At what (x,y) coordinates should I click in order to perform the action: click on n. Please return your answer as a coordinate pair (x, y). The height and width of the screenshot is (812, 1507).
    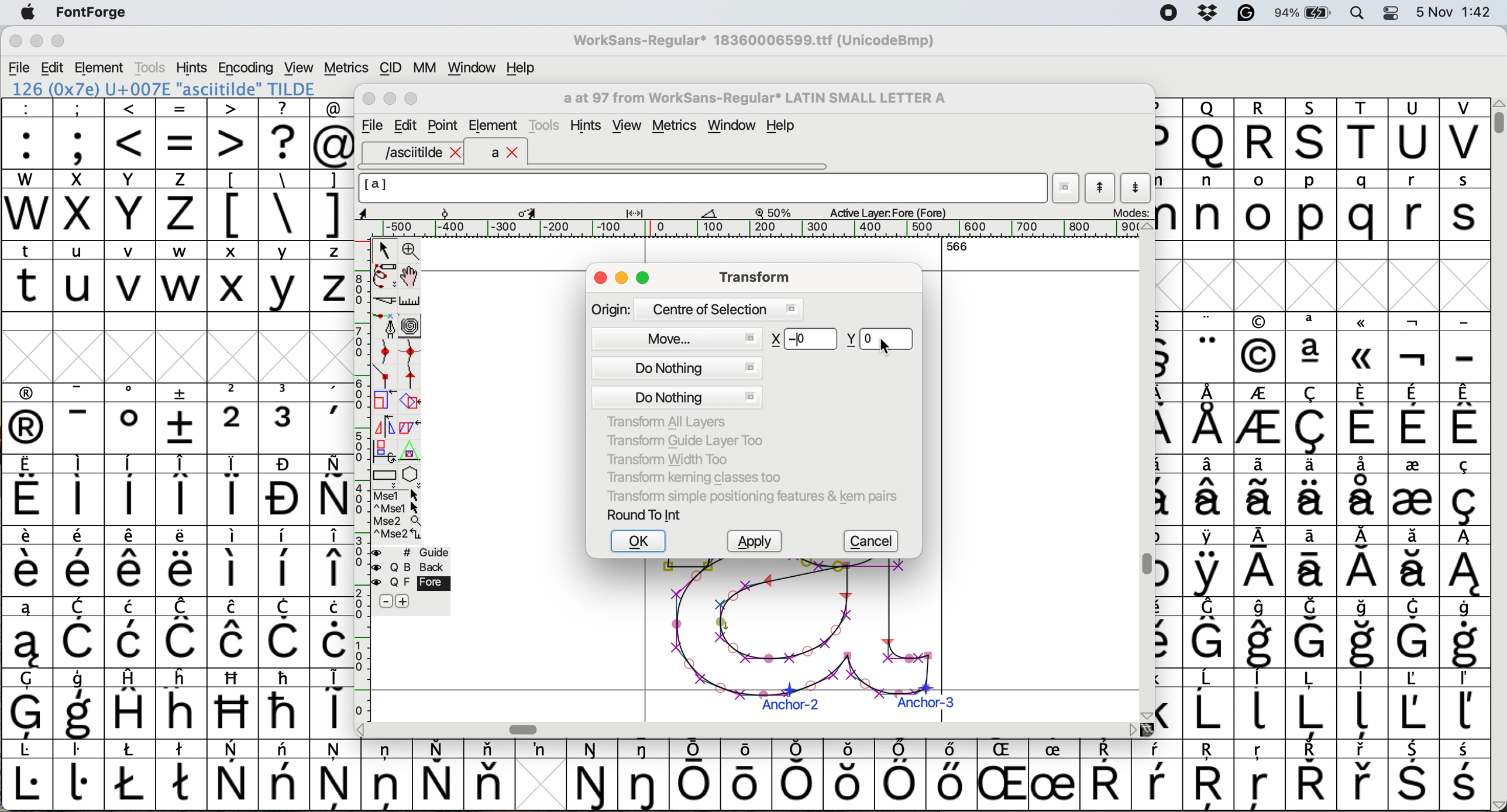
    Looking at the image, I should click on (1208, 204).